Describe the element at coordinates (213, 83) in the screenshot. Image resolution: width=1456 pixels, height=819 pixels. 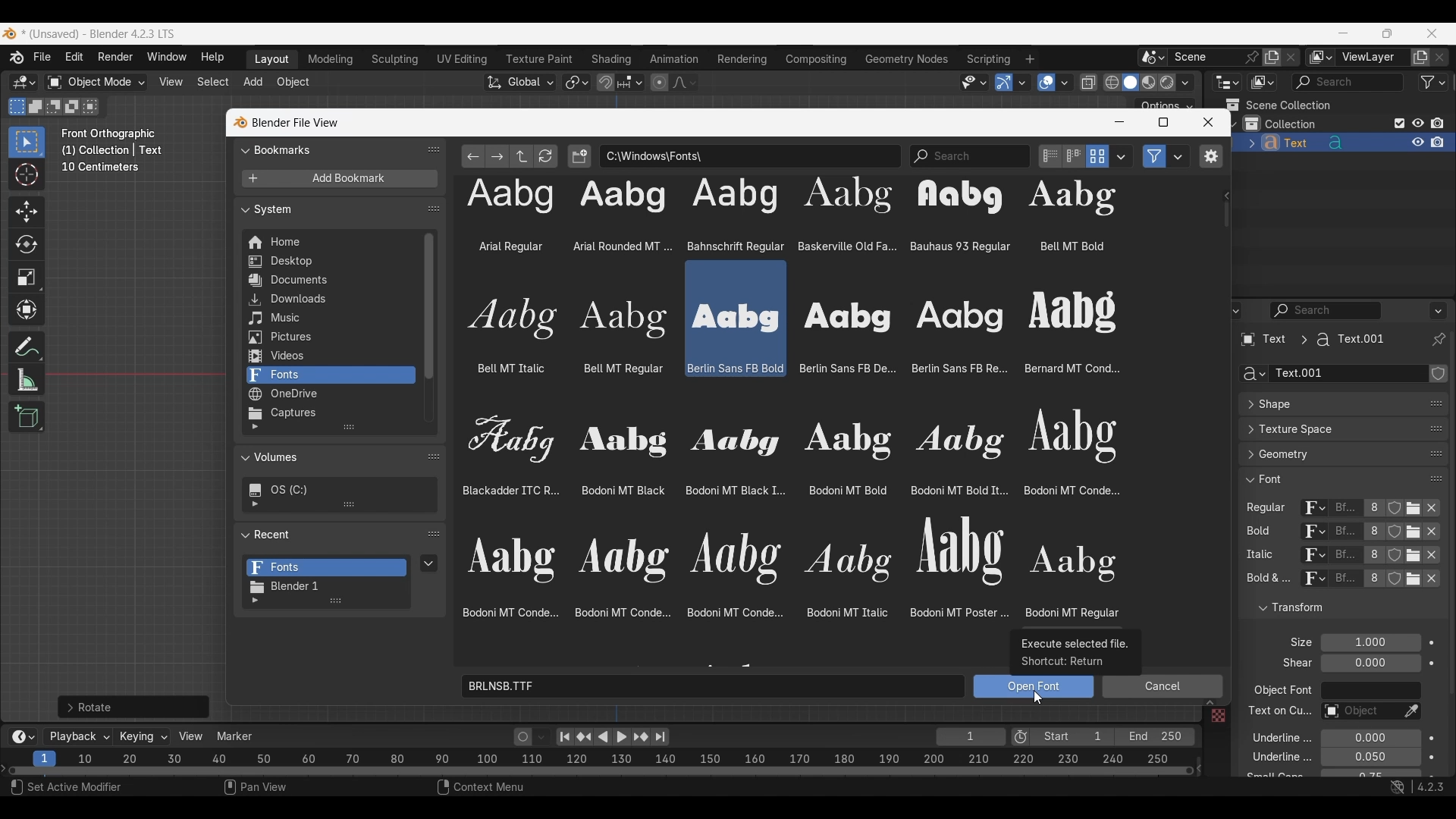
I see `Select menu` at that location.